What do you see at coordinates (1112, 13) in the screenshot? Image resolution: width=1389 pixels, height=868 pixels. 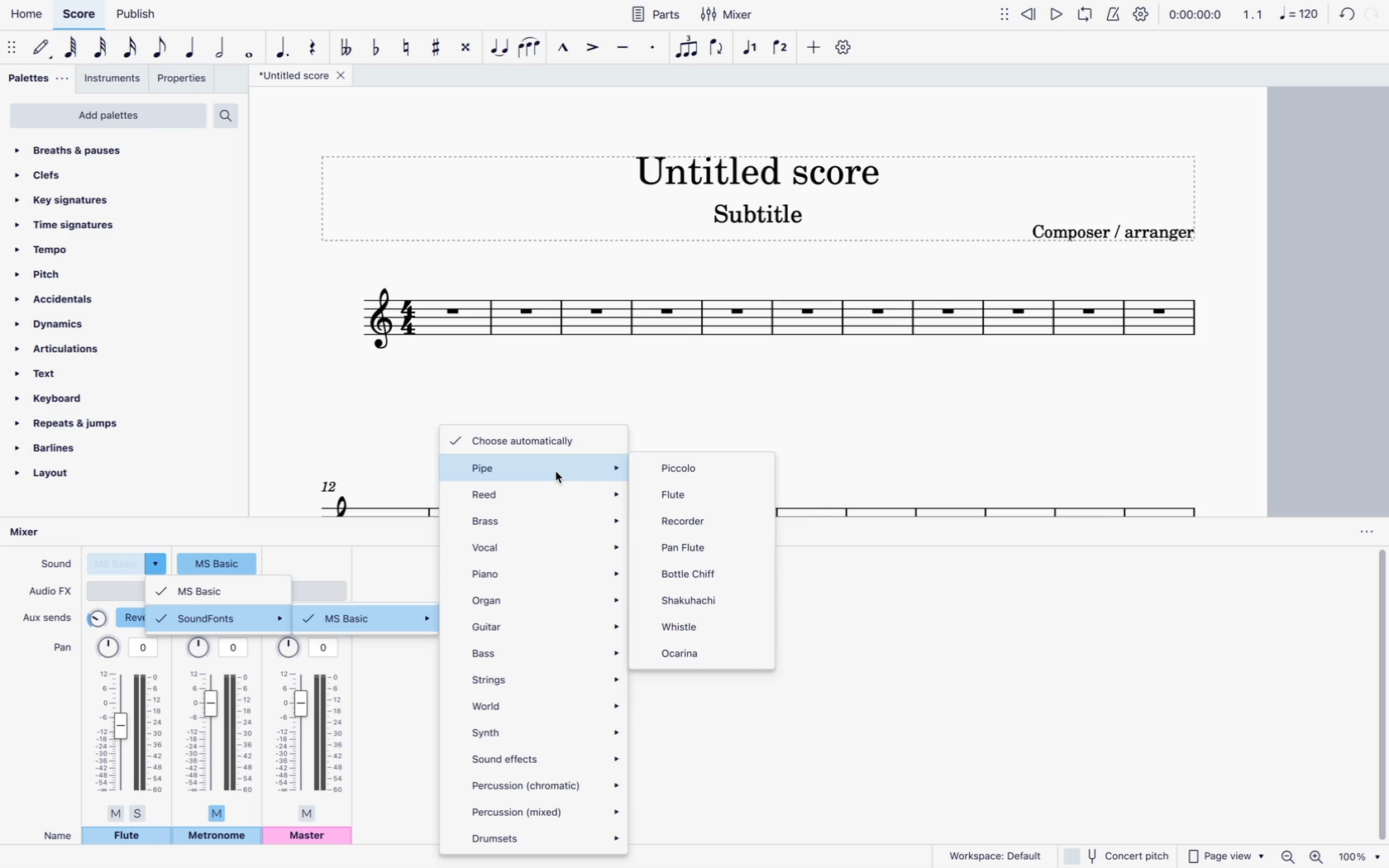 I see `metronome` at bounding box center [1112, 13].